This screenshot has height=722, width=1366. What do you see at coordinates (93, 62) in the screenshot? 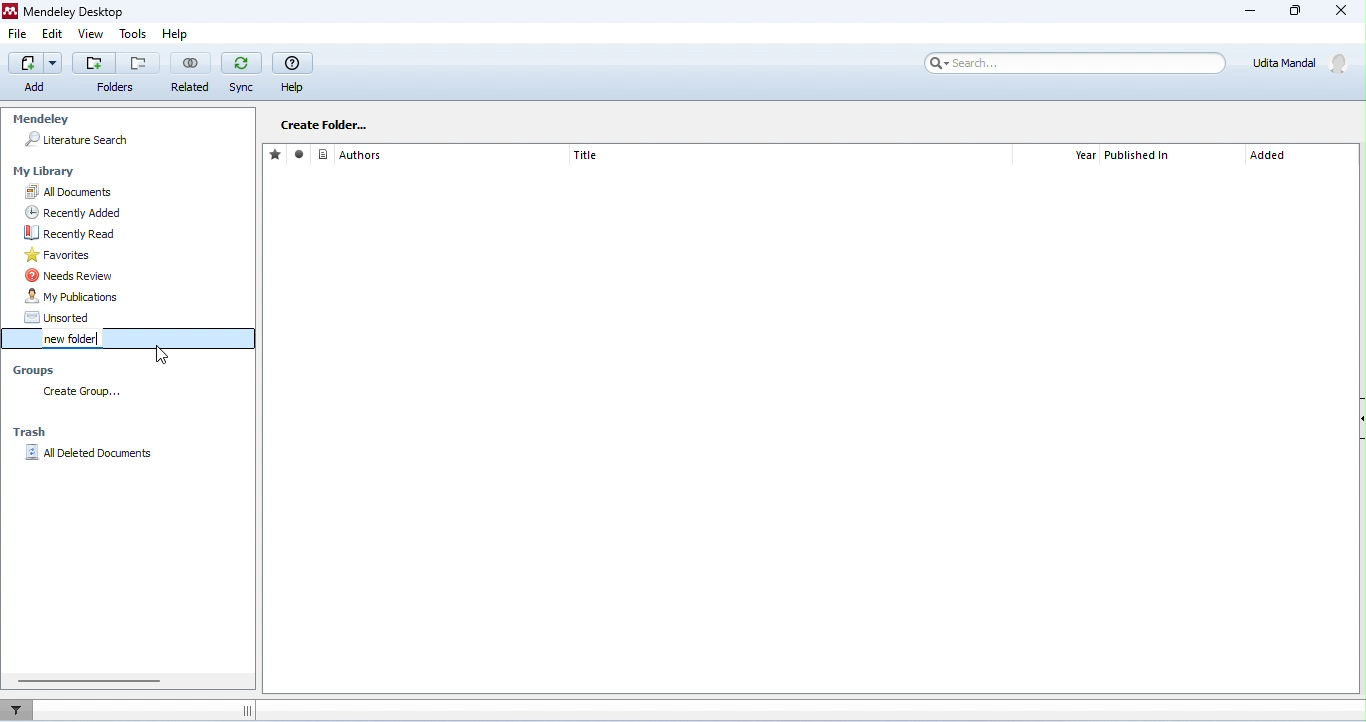
I see `add` at bounding box center [93, 62].